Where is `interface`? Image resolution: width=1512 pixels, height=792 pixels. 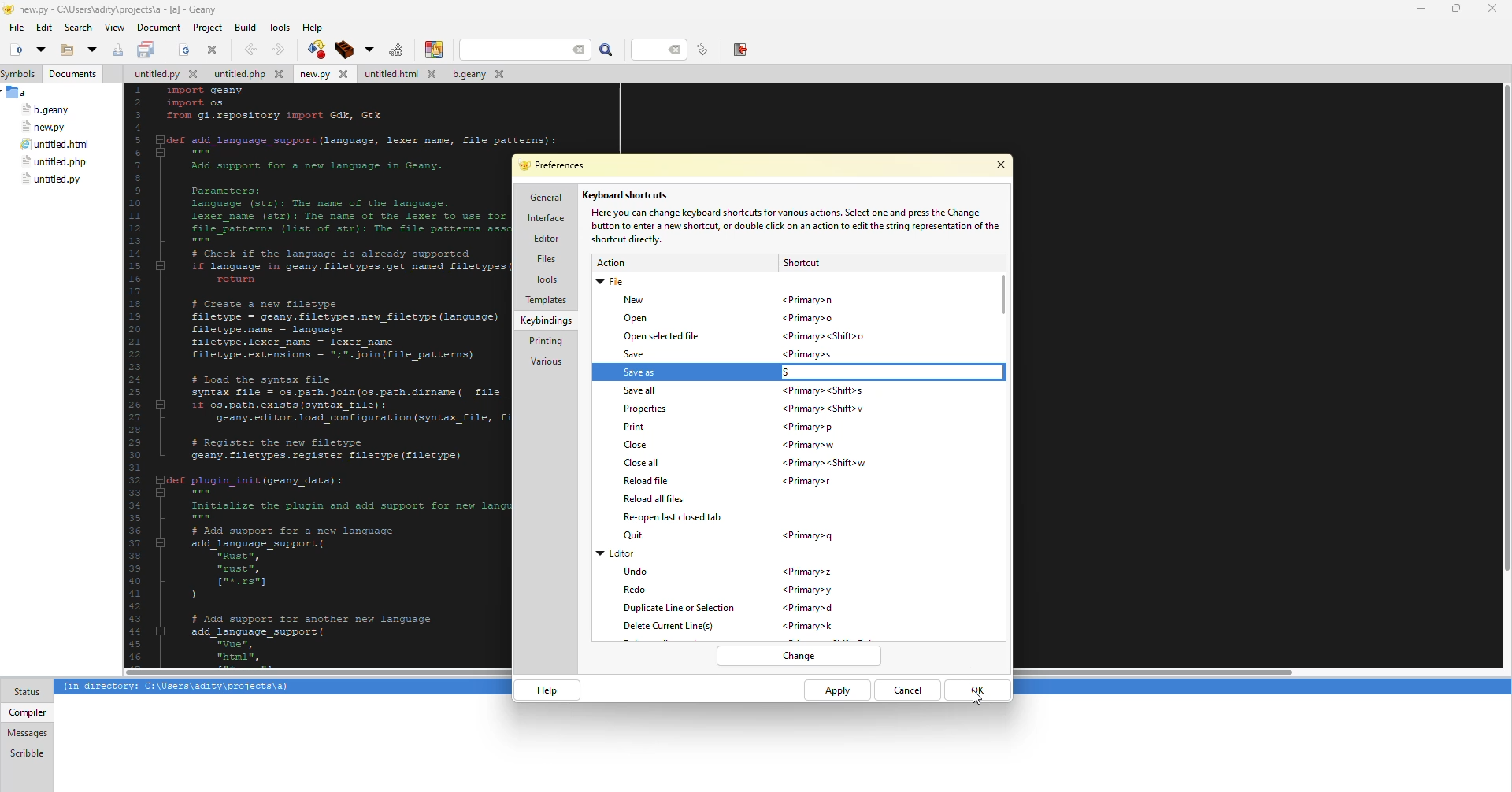
interface is located at coordinates (546, 218).